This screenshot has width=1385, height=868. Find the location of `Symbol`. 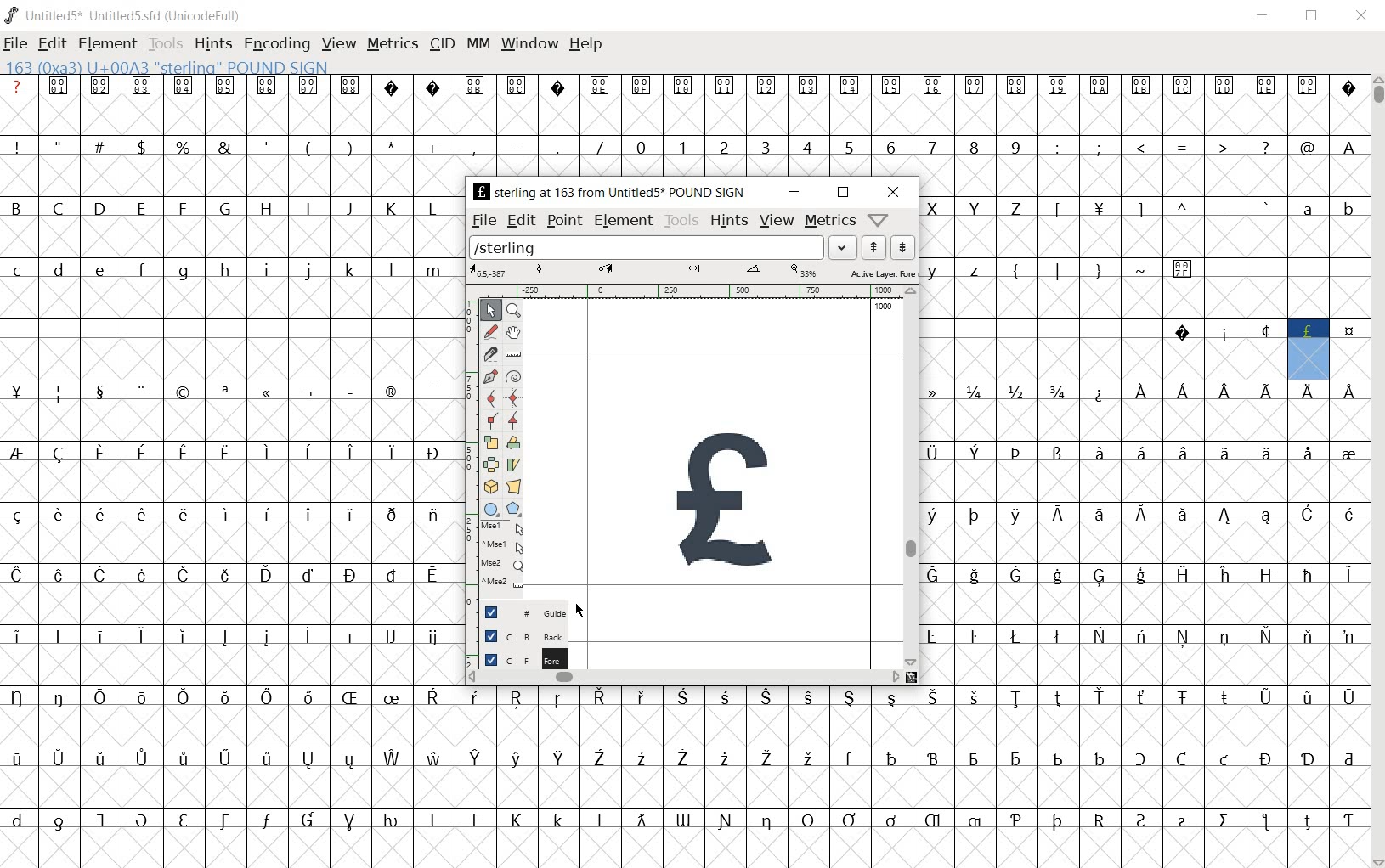

Symbol is located at coordinates (1308, 392).